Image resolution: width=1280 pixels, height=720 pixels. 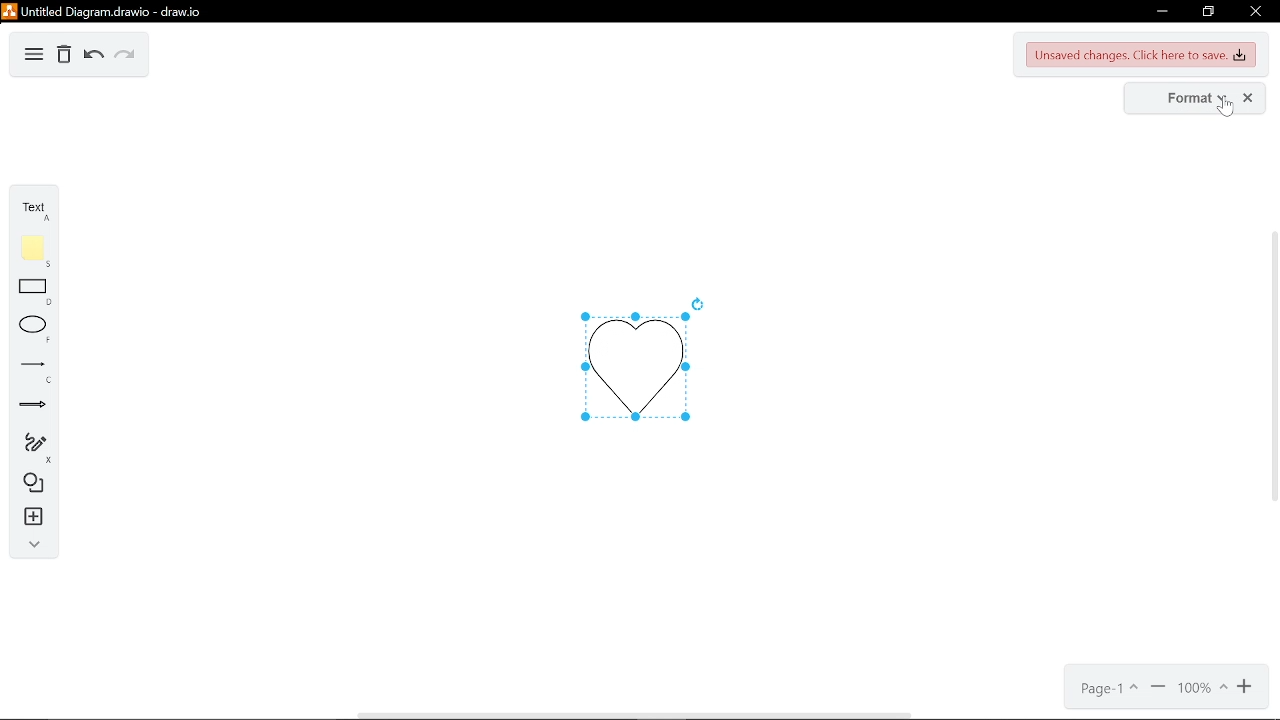 I want to click on format, so click(x=1186, y=100).